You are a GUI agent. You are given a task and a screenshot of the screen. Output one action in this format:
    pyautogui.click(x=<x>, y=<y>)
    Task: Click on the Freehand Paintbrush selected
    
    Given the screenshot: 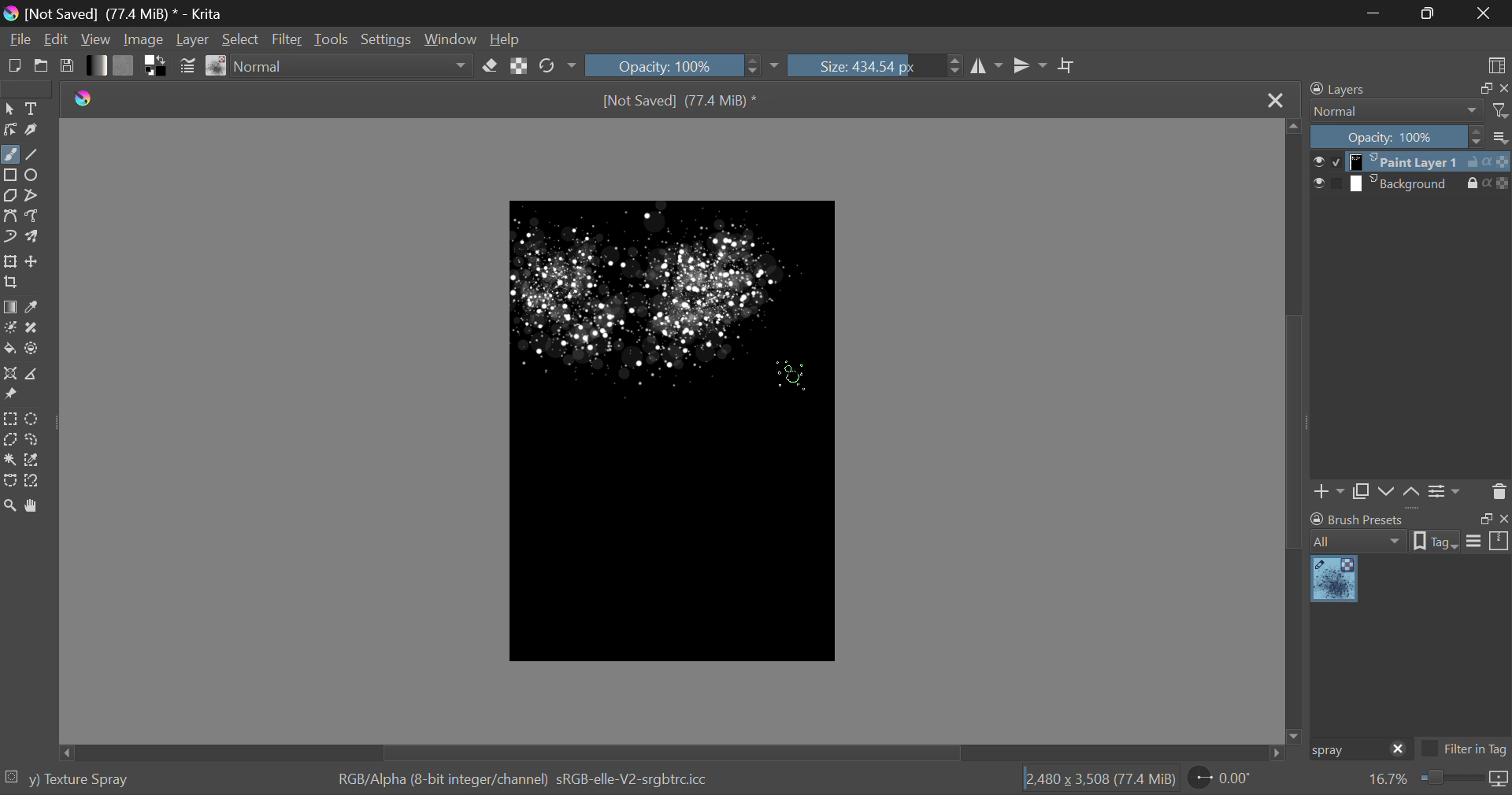 What is the action you would take?
    pyautogui.click(x=9, y=156)
    